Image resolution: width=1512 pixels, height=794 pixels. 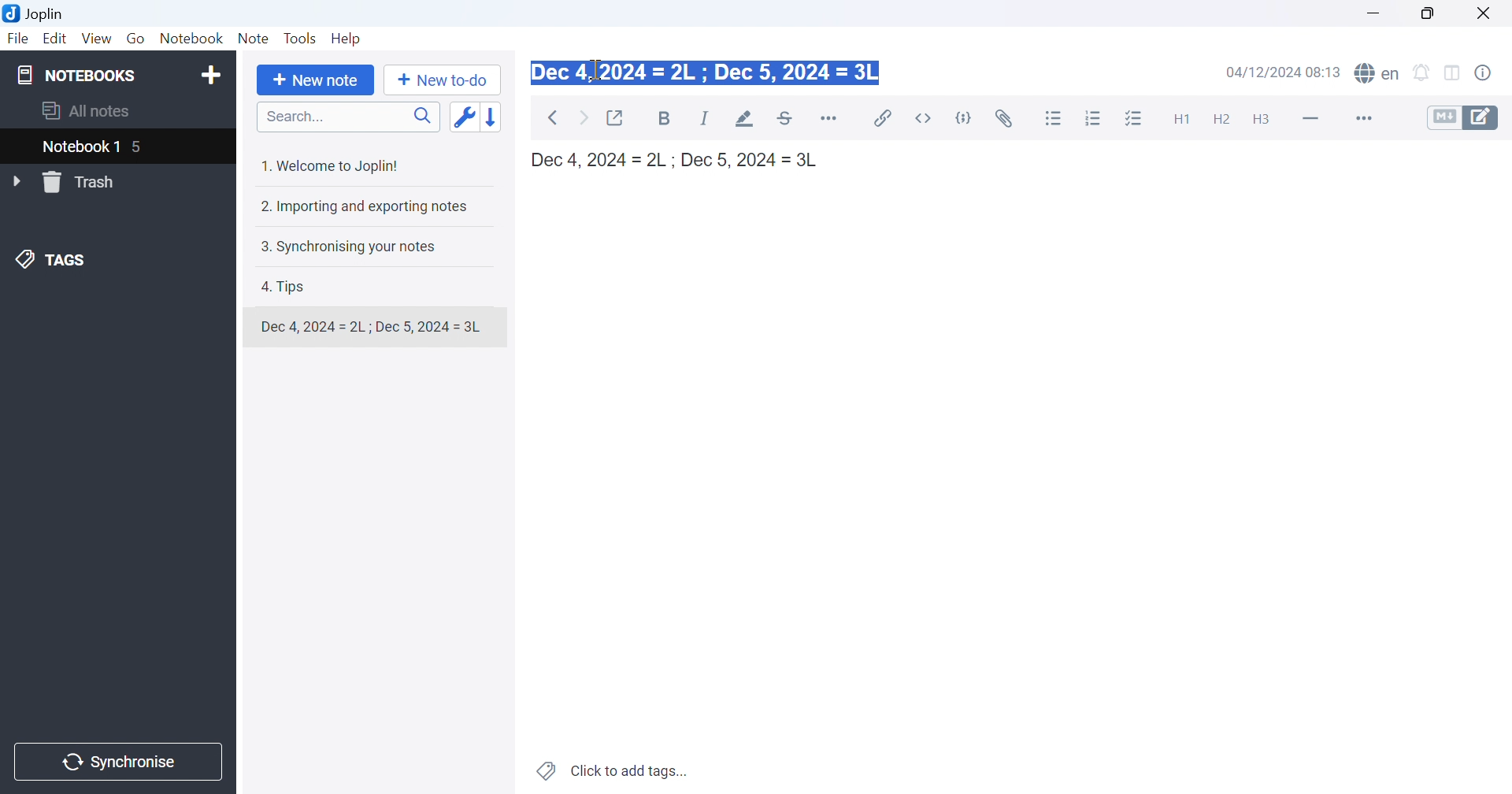 I want to click on Go, so click(x=138, y=39).